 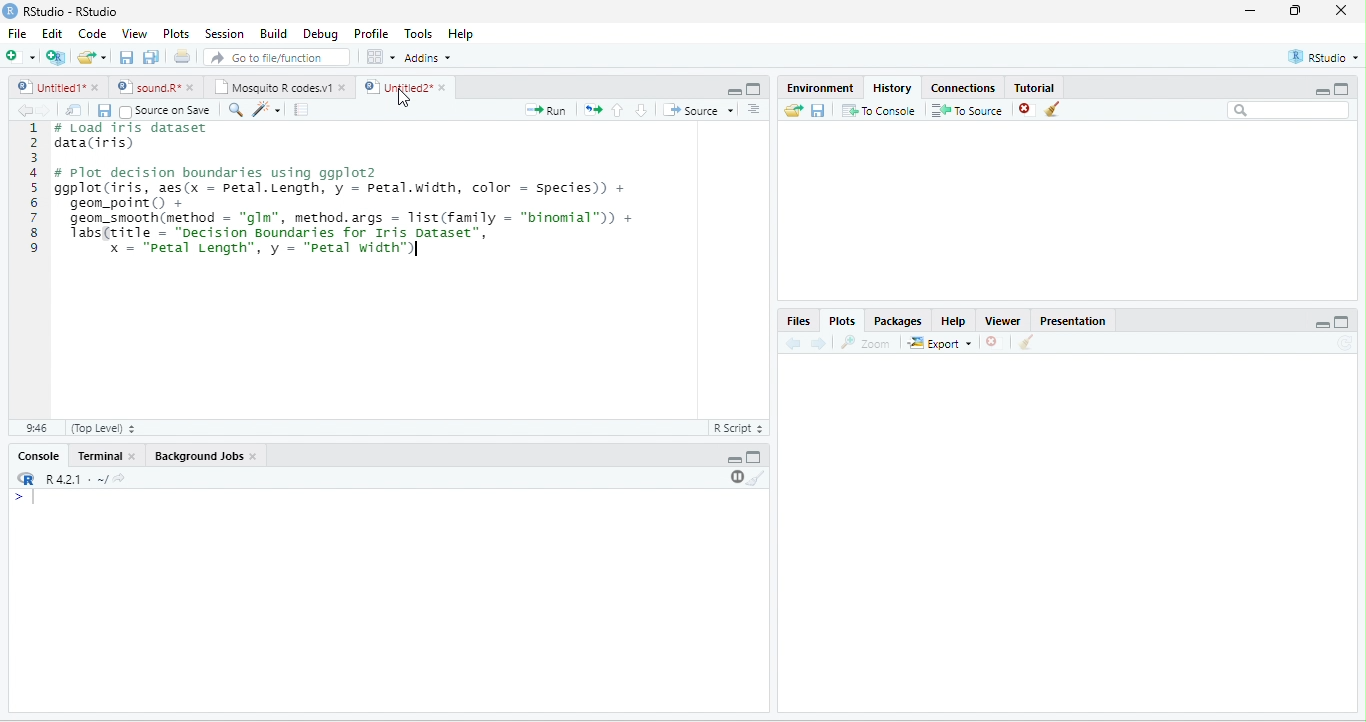 What do you see at coordinates (396, 87) in the screenshot?
I see `Untitled2` at bounding box center [396, 87].